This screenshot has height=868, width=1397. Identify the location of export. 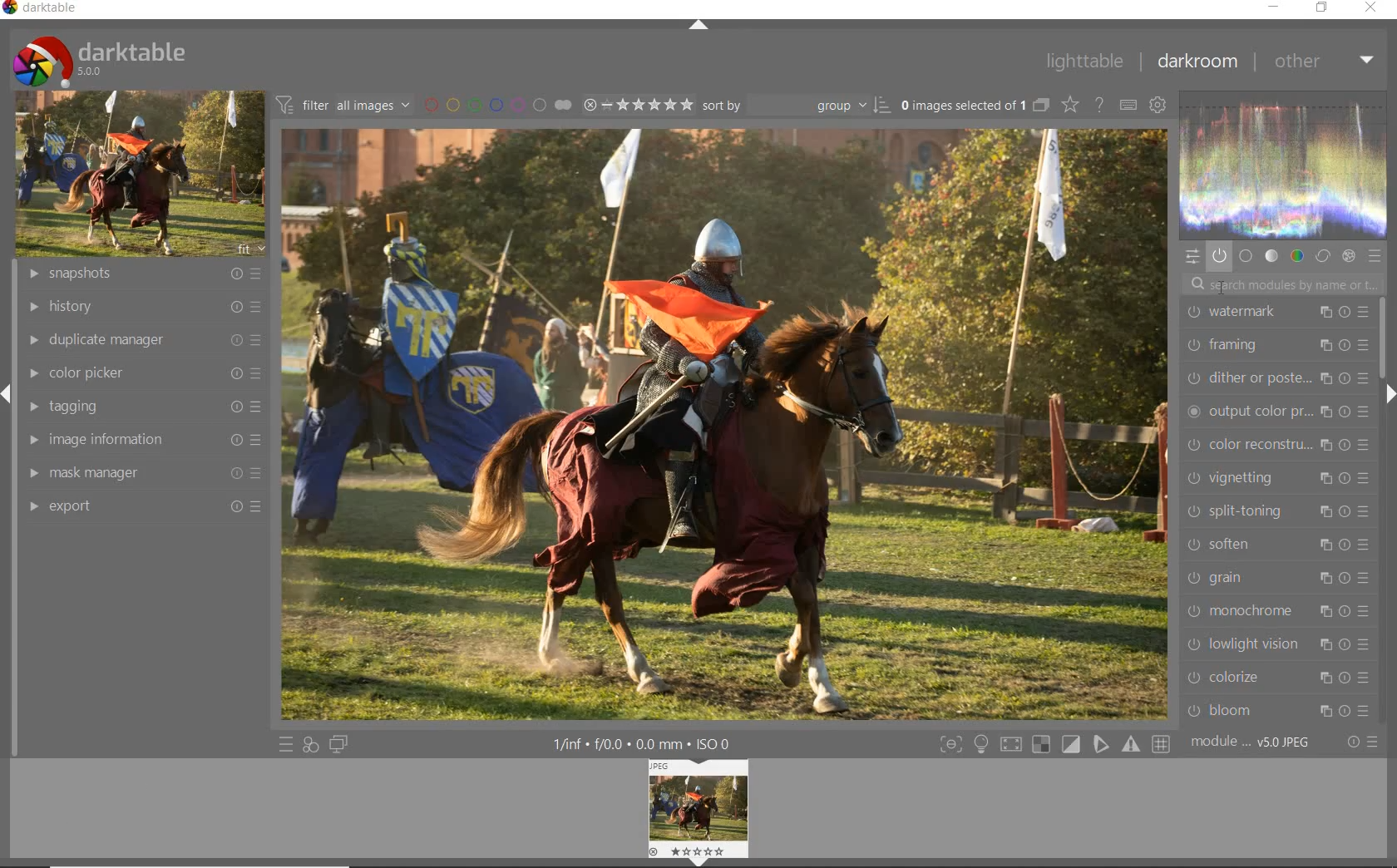
(141, 506).